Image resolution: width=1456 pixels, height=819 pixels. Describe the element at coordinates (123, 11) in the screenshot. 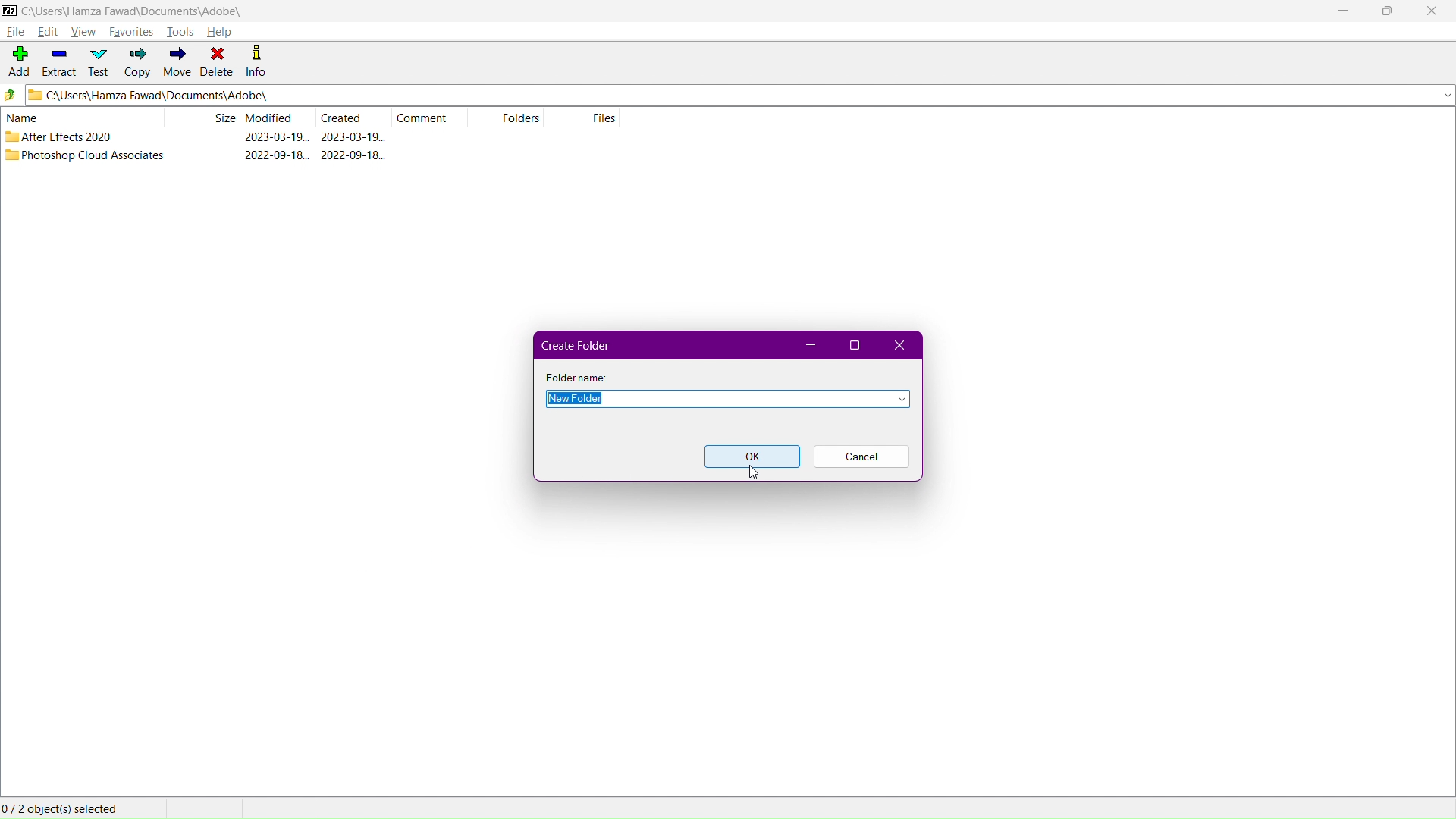

I see `Window Name` at that location.